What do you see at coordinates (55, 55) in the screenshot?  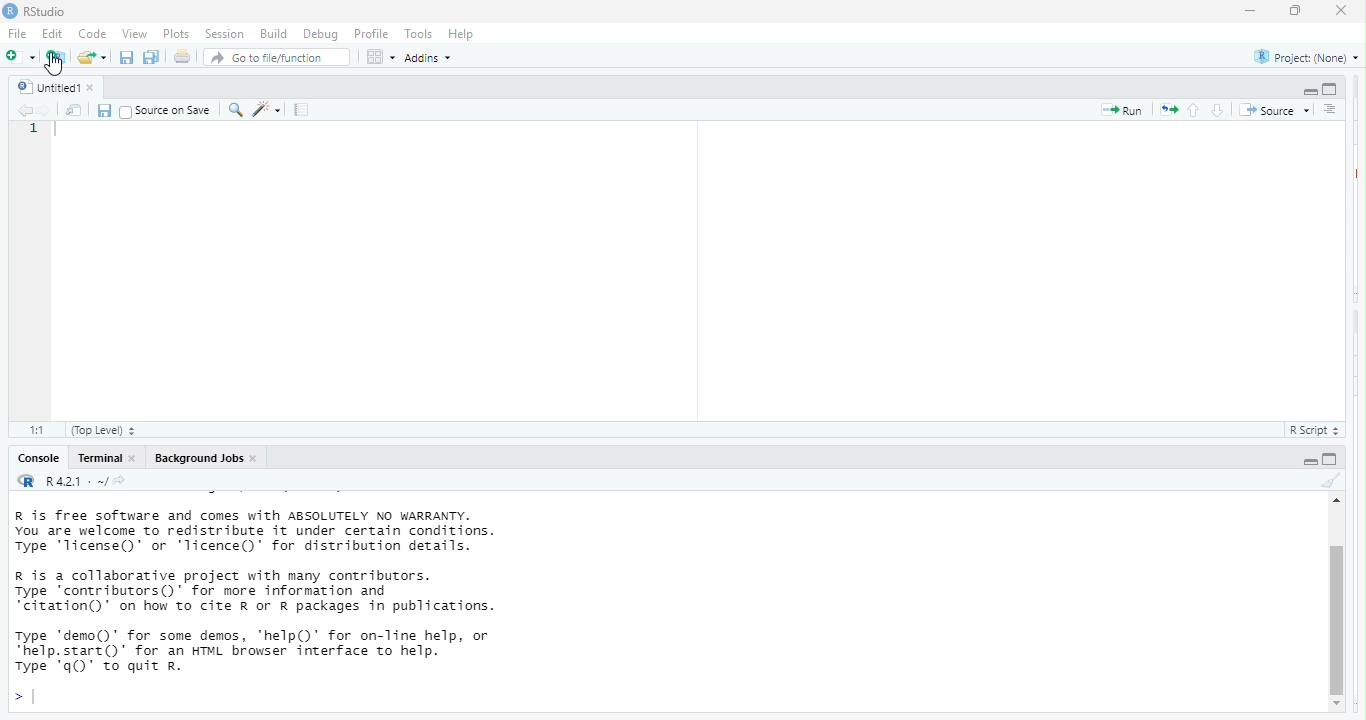 I see `create a project` at bounding box center [55, 55].